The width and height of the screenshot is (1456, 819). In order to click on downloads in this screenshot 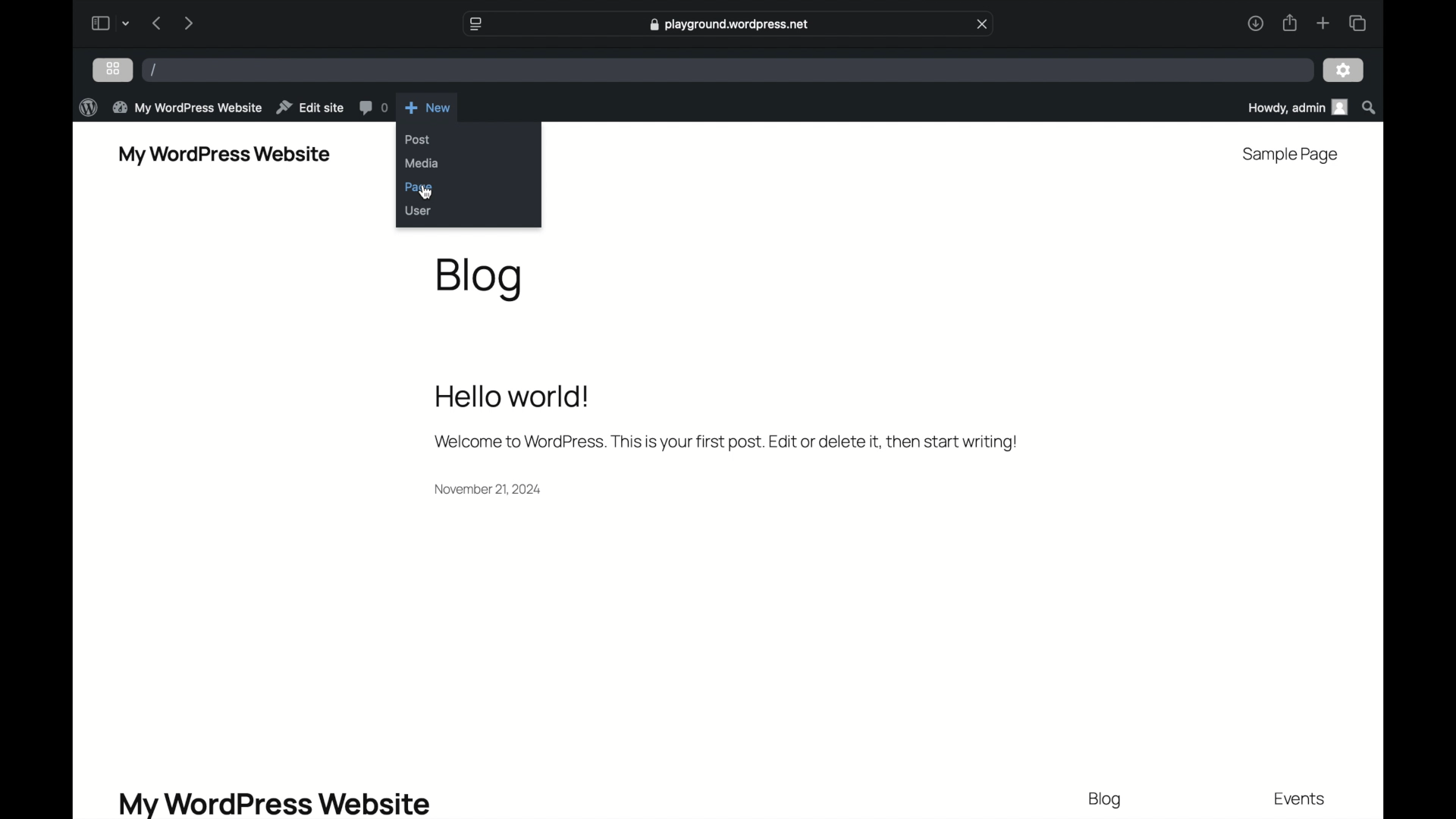, I will do `click(1256, 23)`.